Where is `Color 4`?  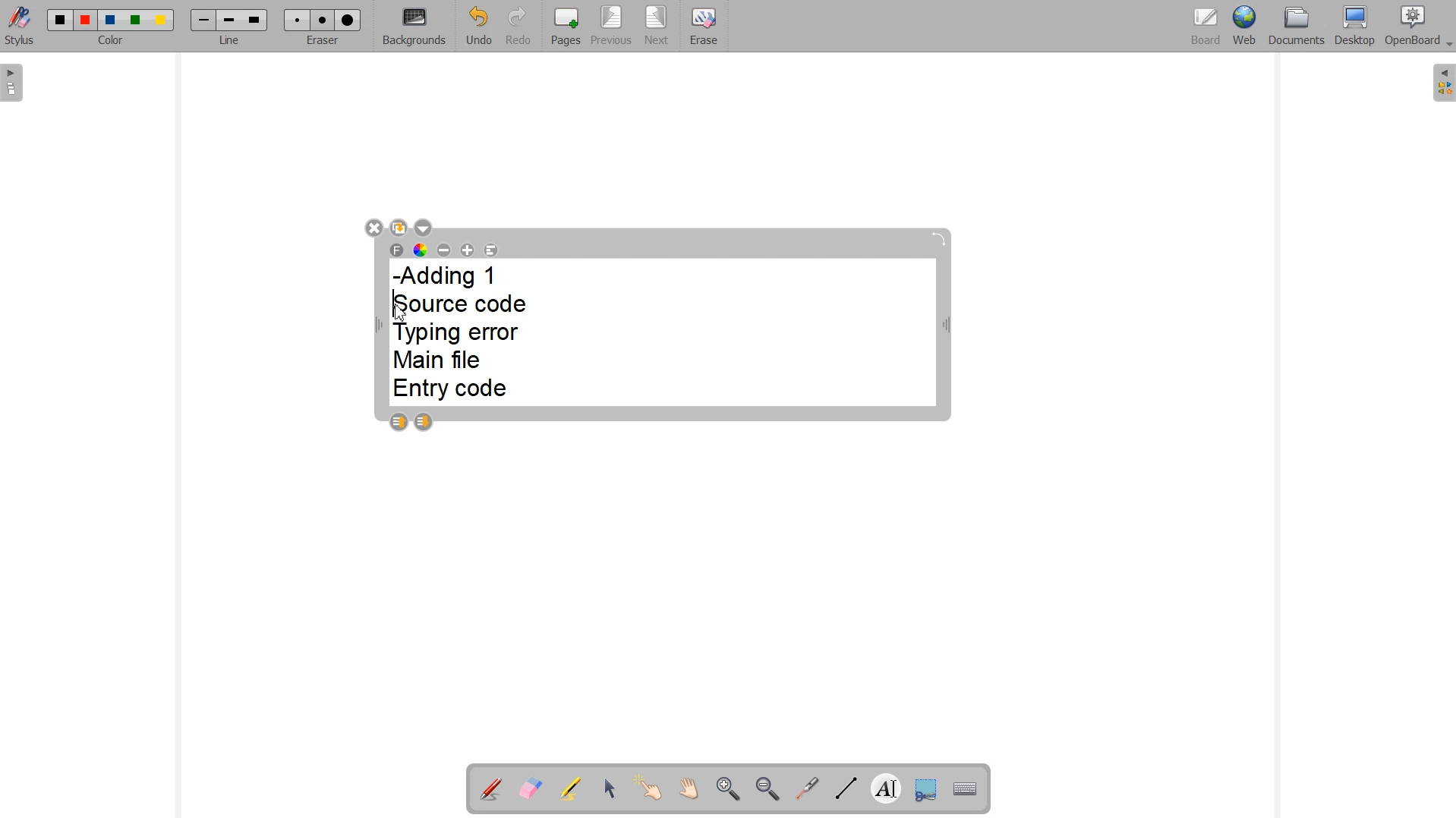
Color 4 is located at coordinates (137, 20).